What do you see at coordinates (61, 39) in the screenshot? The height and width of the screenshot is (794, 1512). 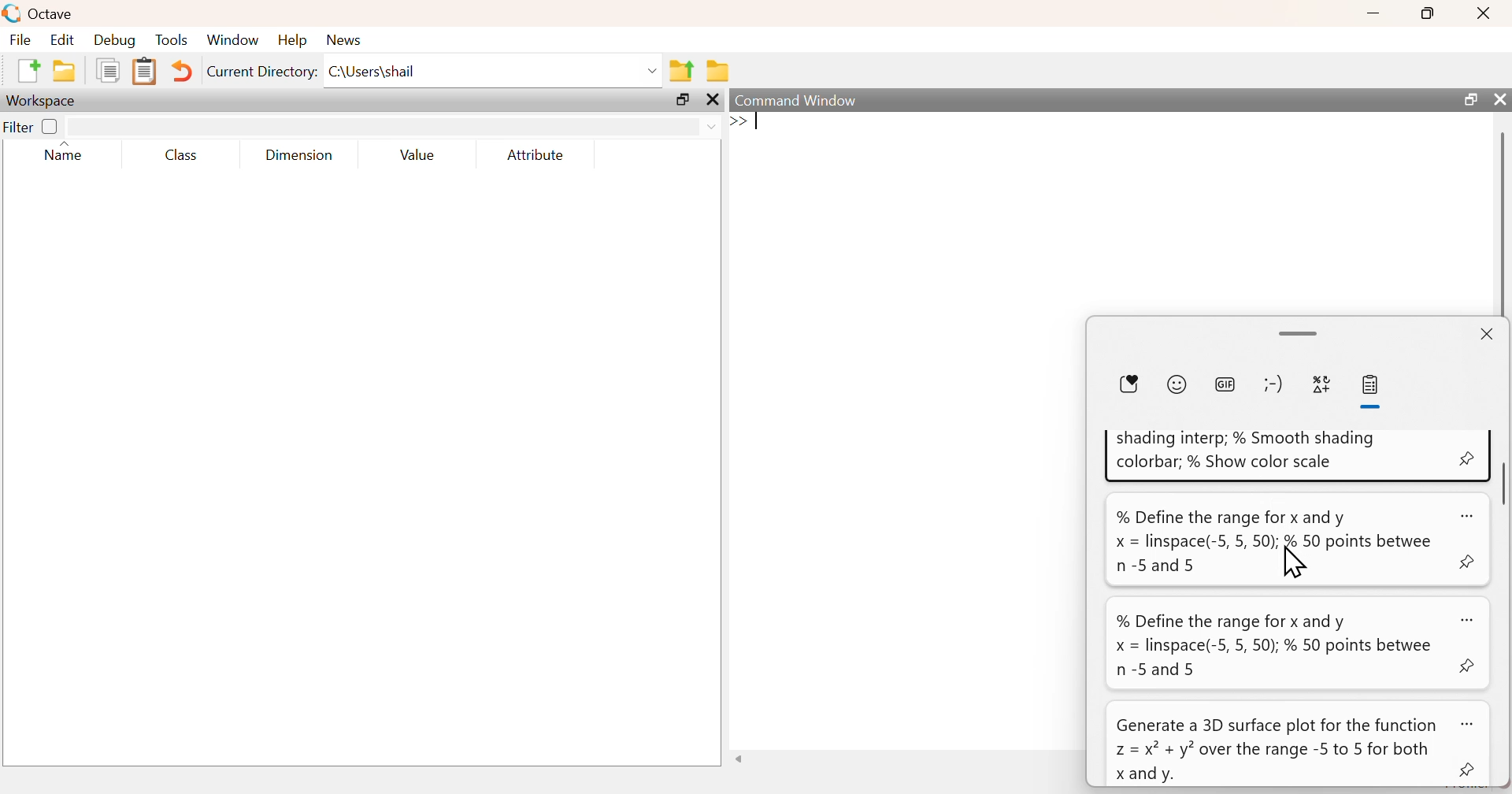 I see `Edit` at bounding box center [61, 39].